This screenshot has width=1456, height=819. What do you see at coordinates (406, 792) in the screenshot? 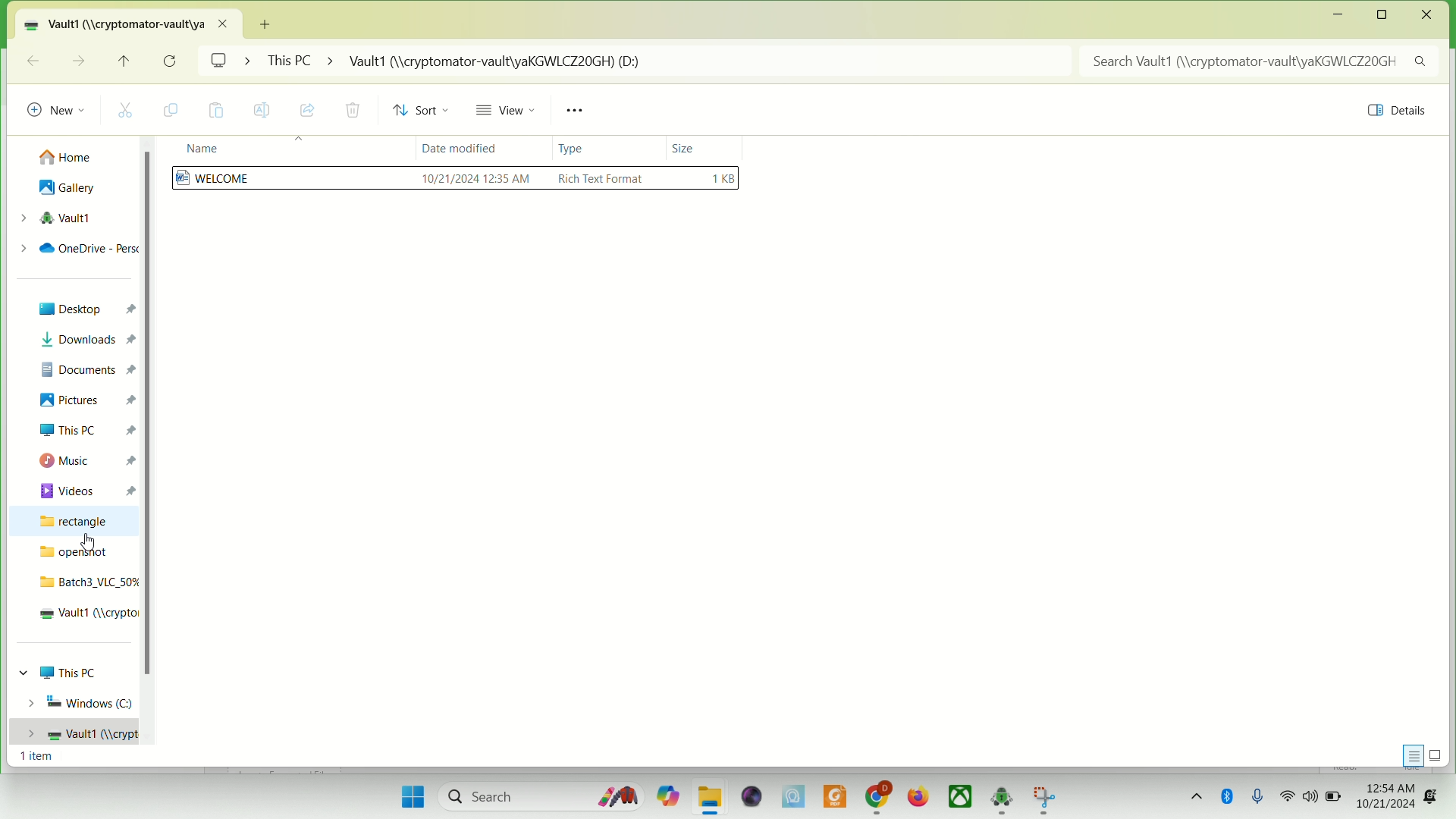
I see `start` at bounding box center [406, 792].